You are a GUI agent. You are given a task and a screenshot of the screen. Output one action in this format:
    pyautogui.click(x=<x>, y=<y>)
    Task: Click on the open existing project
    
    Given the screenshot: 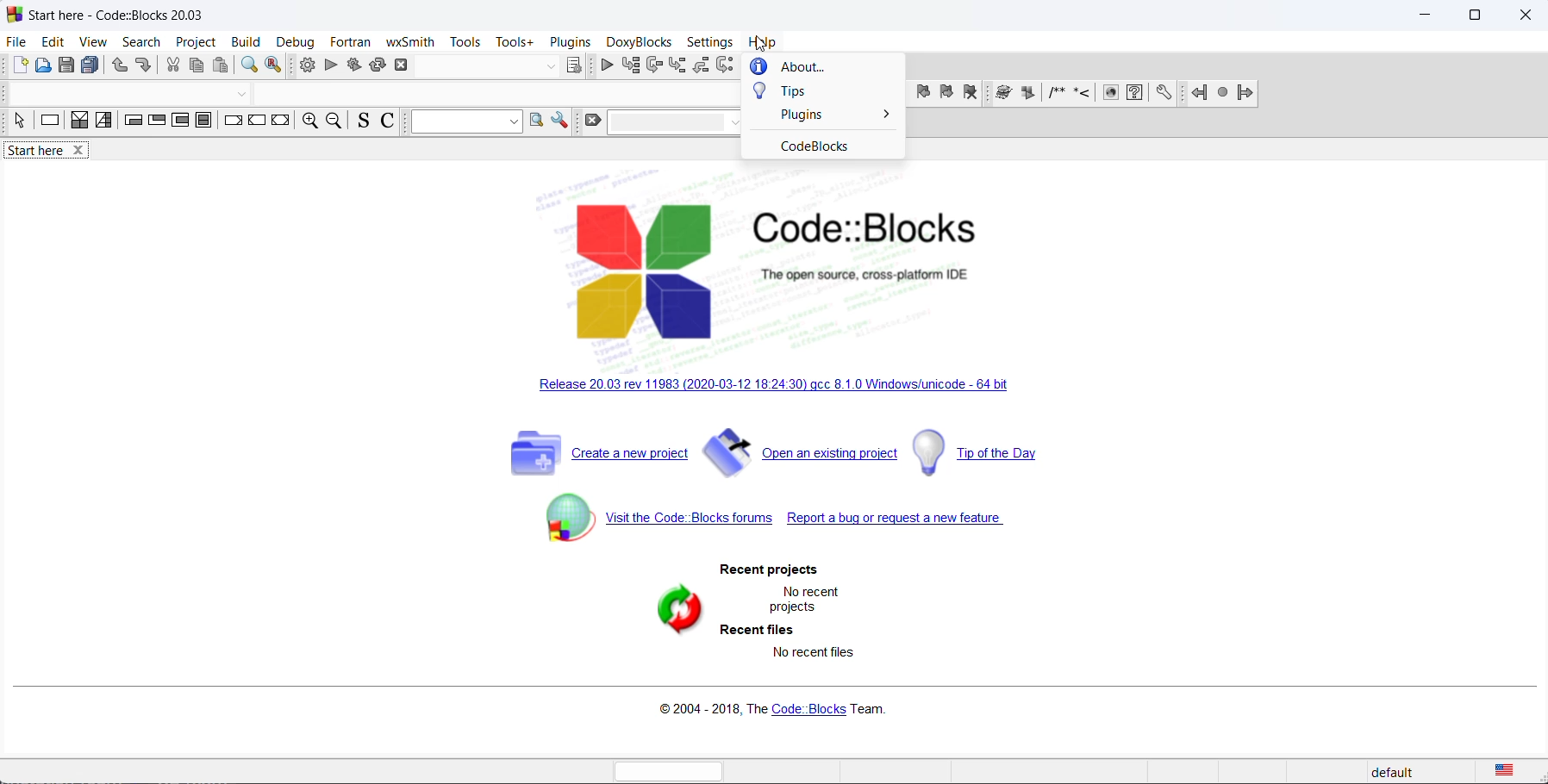 What is the action you would take?
    pyautogui.click(x=803, y=451)
    